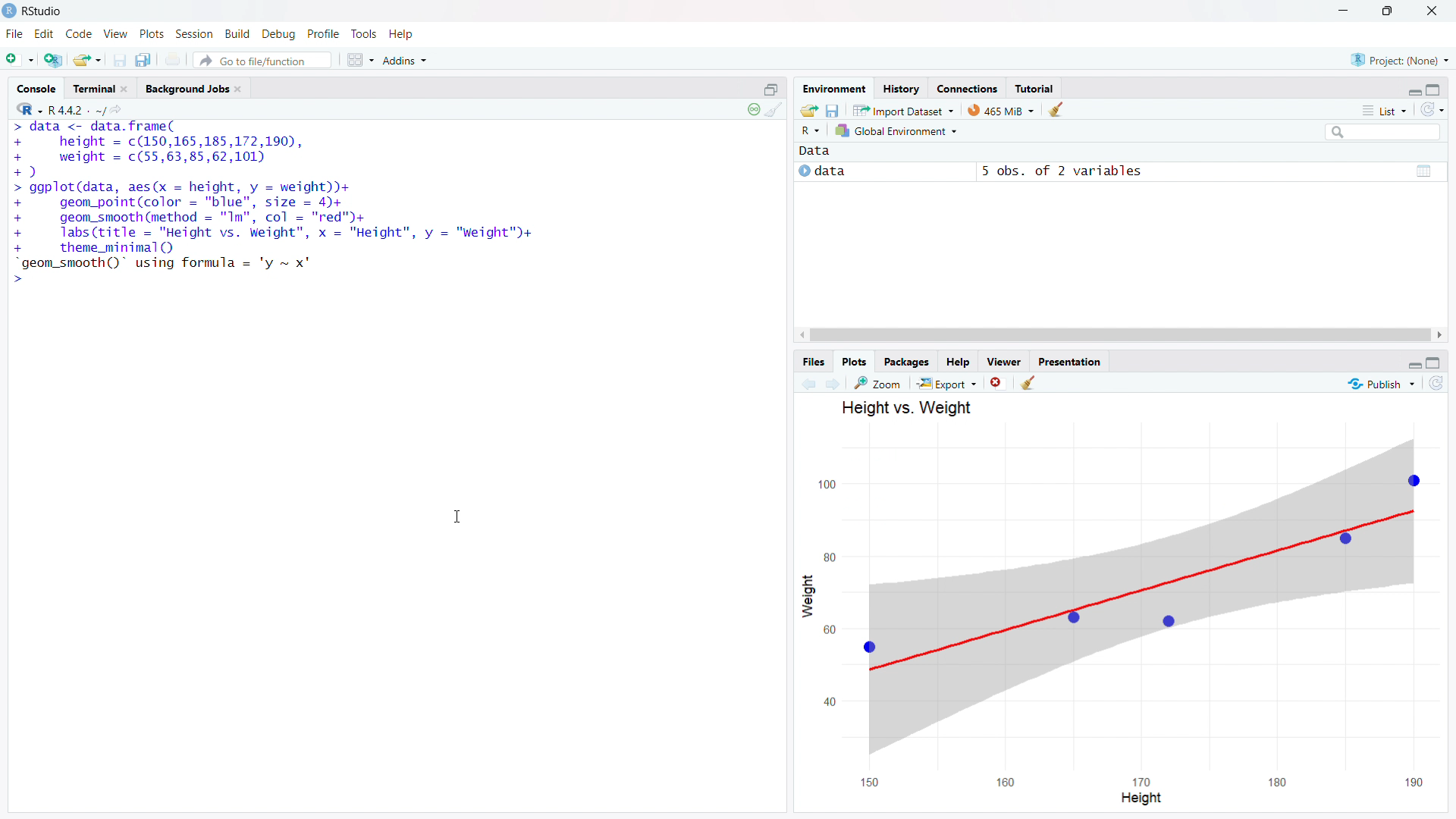 Image resolution: width=1456 pixels, height=819 pixels. What do you see at coordinates (166, 264) in the screenshot?
I see `“geom_smooth()" using formula = 'y ~ x'` at bounding box center [166, 264].